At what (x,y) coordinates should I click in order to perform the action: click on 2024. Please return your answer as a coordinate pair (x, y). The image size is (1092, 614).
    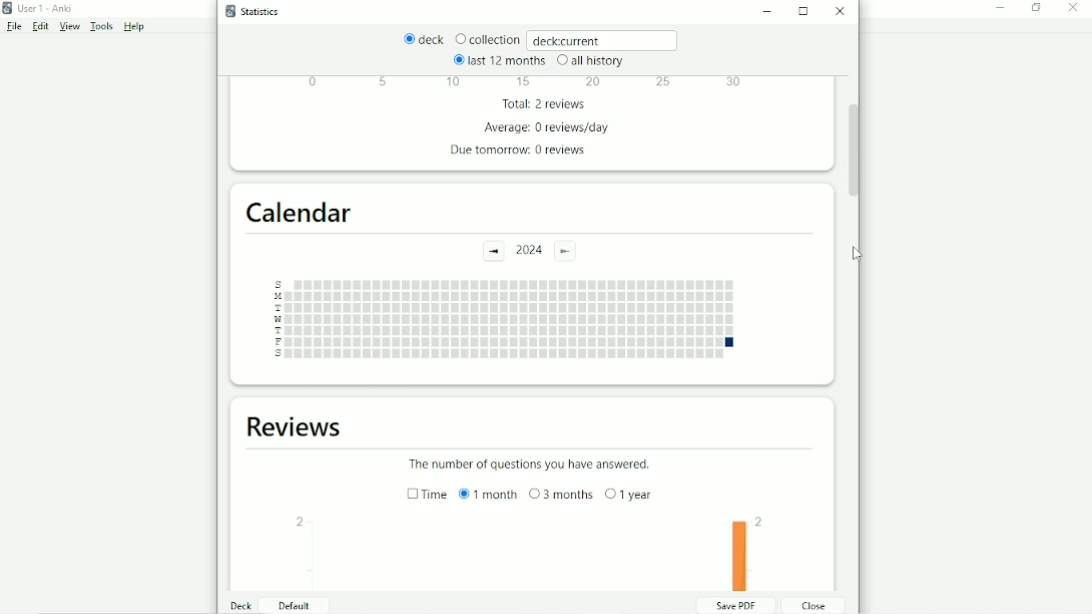
    Looking at the image, I should click on (534, 247).